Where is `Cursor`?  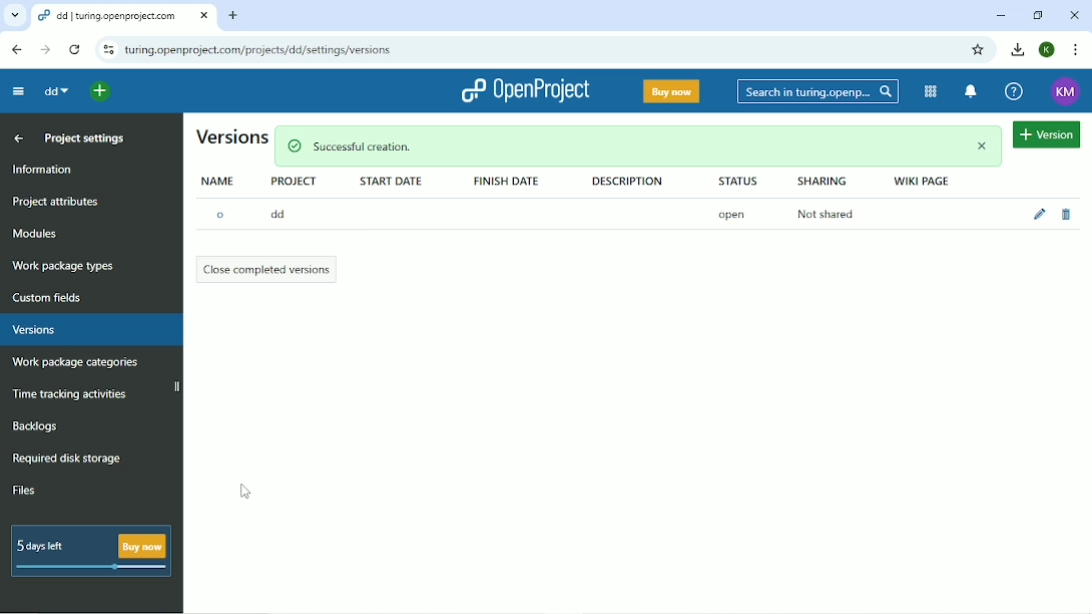
Cursor is located at coordinates (244, 491).